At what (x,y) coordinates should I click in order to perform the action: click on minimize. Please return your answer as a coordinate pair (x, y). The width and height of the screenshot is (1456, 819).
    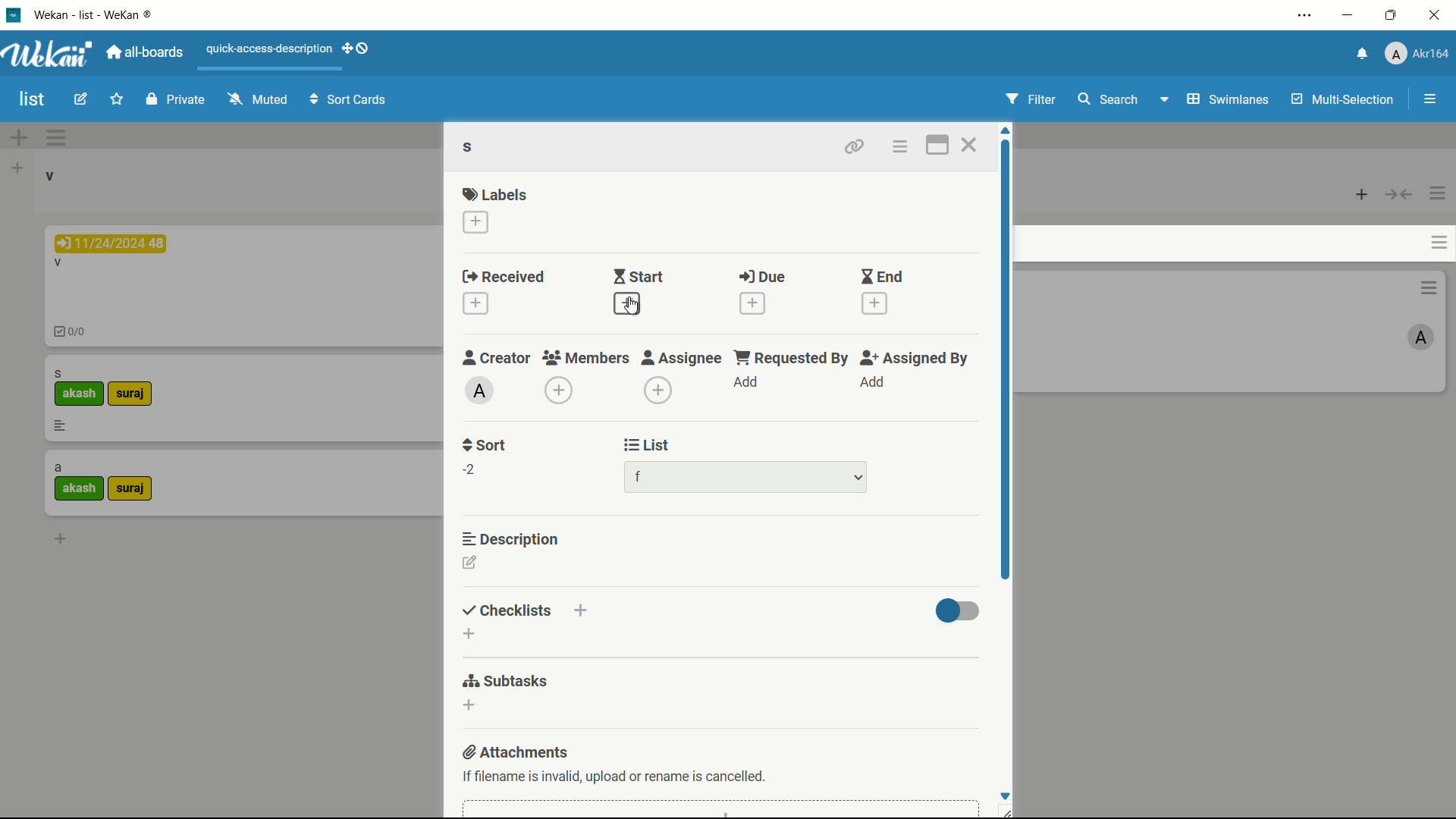
    Looking at the image, I should click on (1348, 17).